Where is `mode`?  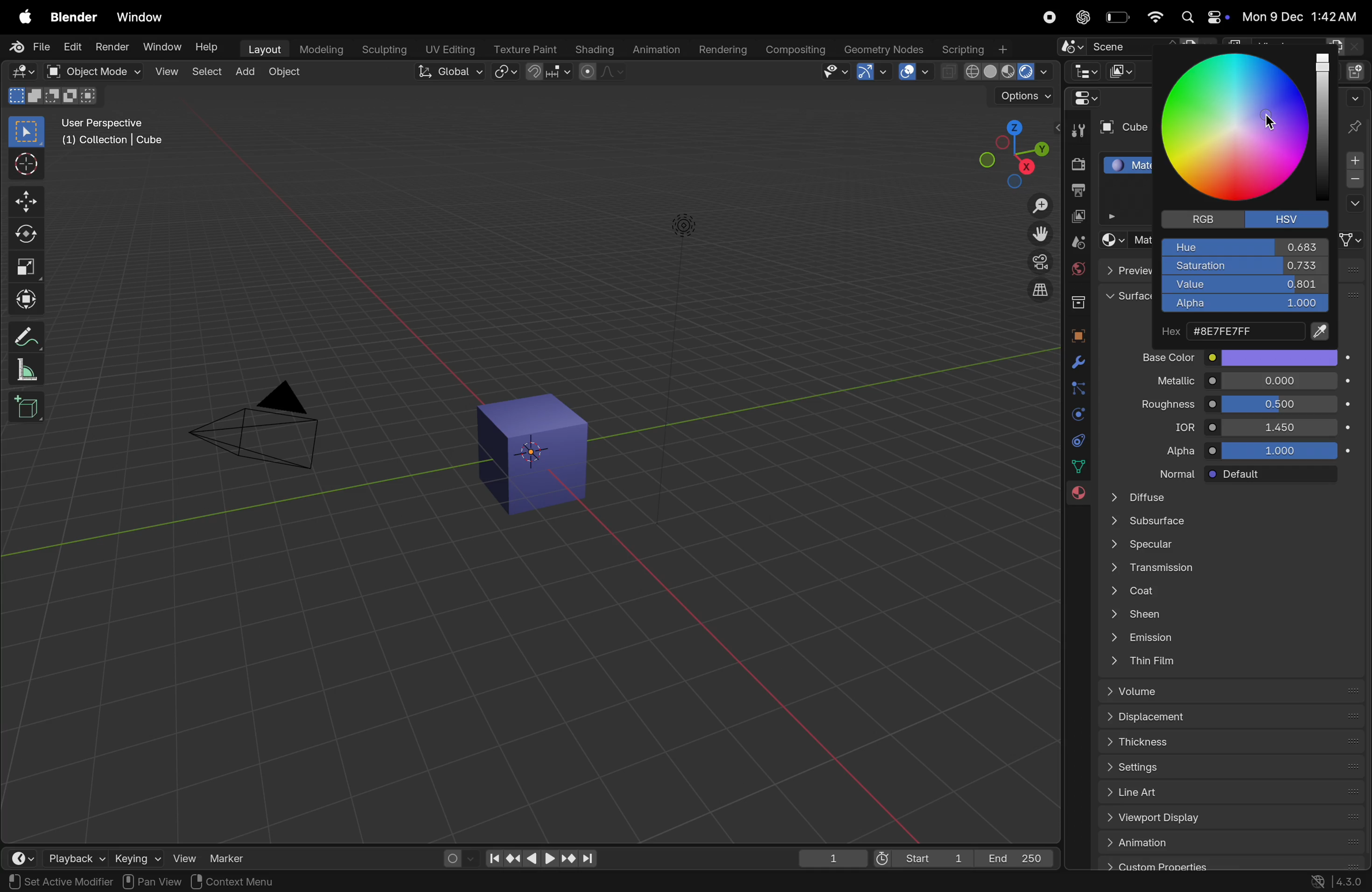 mode is located at coordinates (54, 95).